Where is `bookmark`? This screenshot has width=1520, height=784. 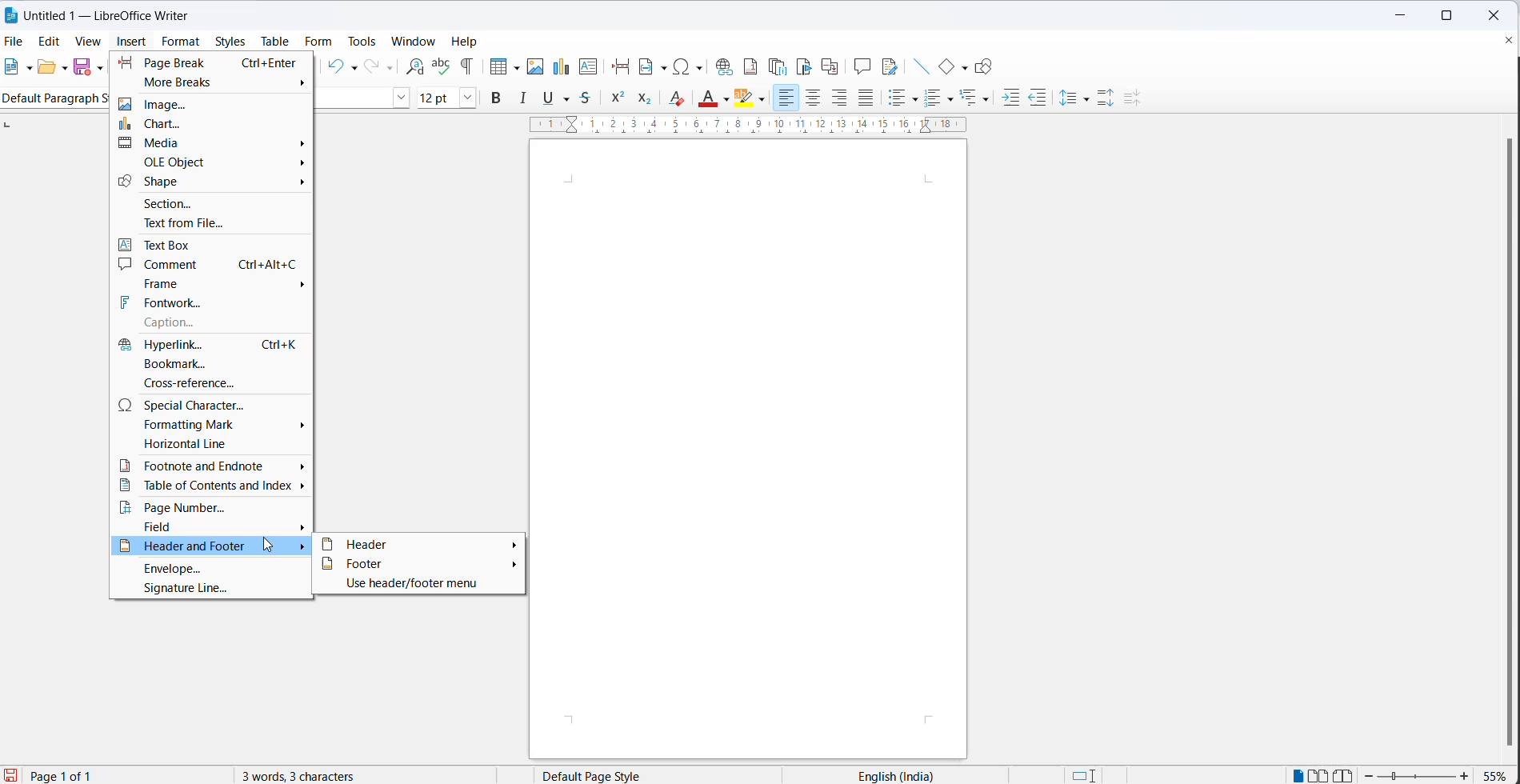
bookmark is located at coordinates (210, 366).